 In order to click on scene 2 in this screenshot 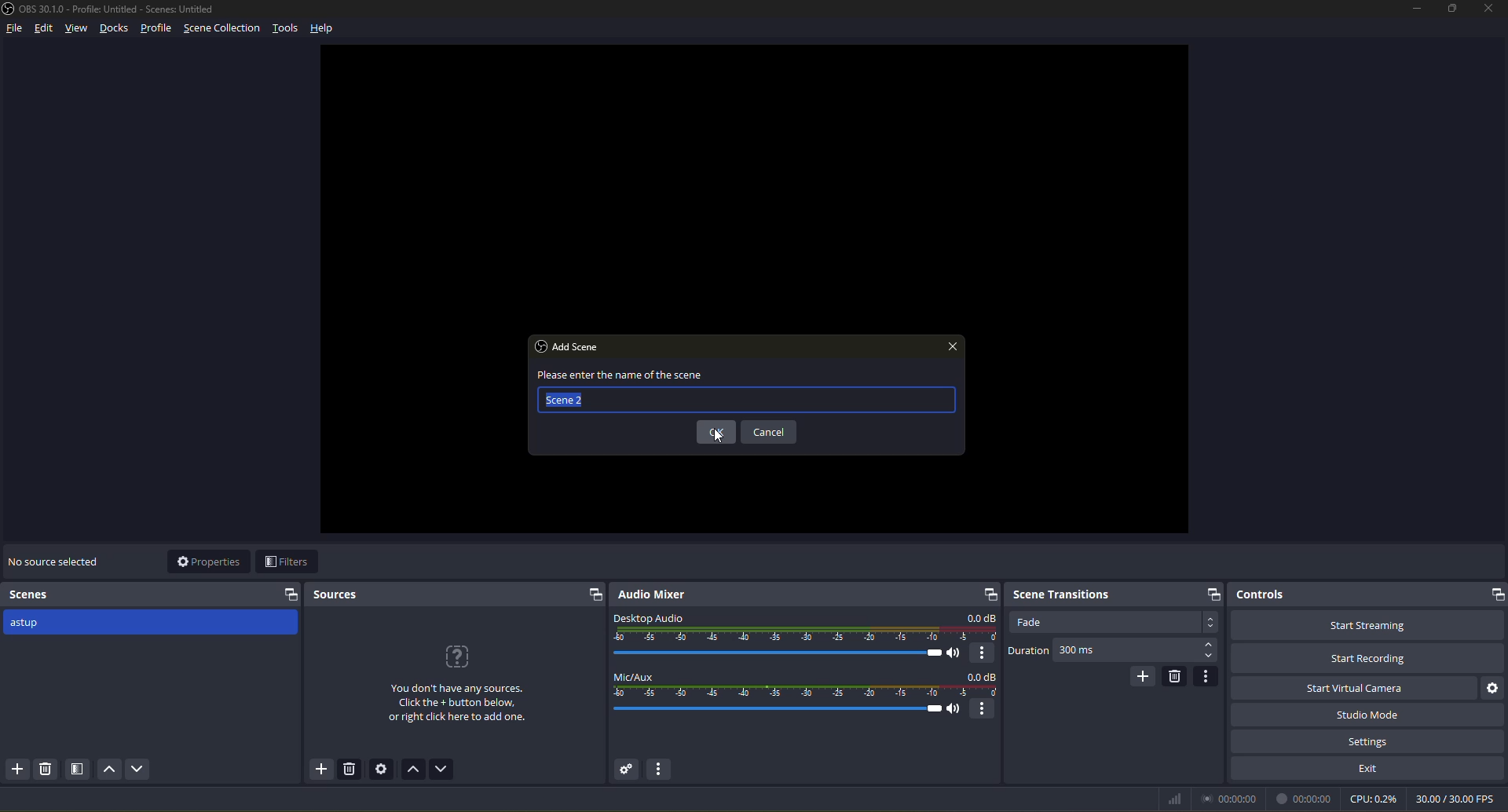, I will do `click(564, 400)`.